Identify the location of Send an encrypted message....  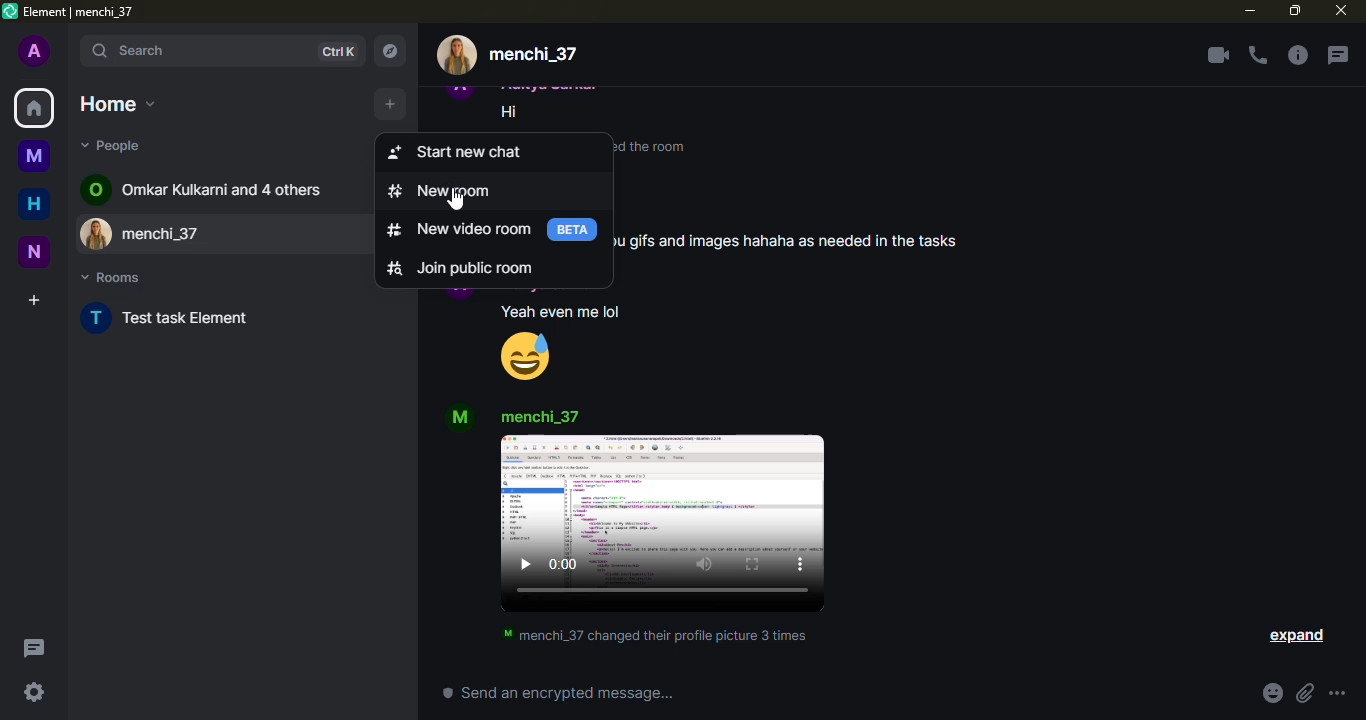
(558, 692).